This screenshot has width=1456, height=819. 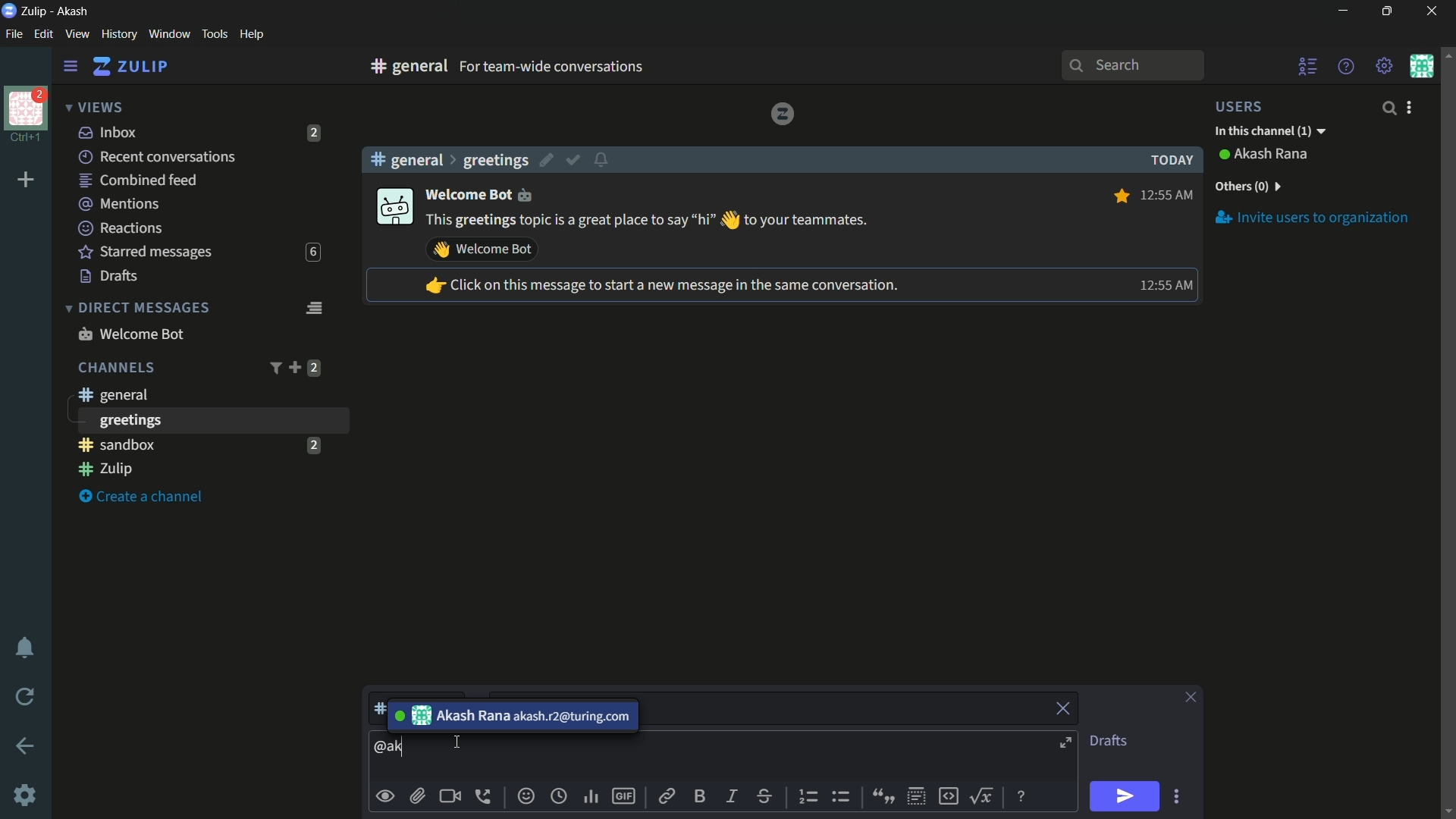 I want to click on welcome bot, so click(x=487, y=193).